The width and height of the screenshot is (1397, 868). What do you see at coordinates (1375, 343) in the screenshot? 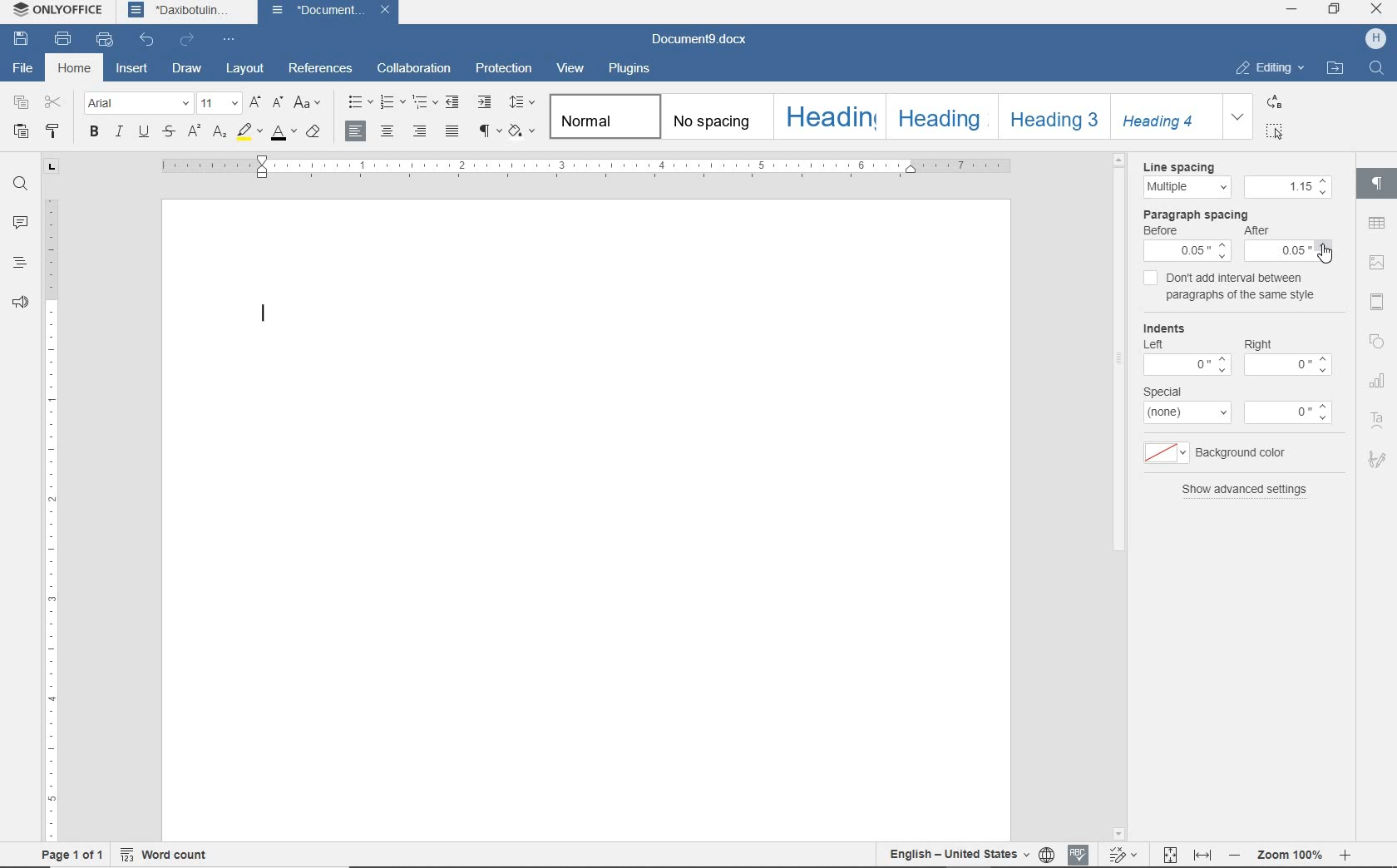
I see `shape` at bounding box center [1375, 343].